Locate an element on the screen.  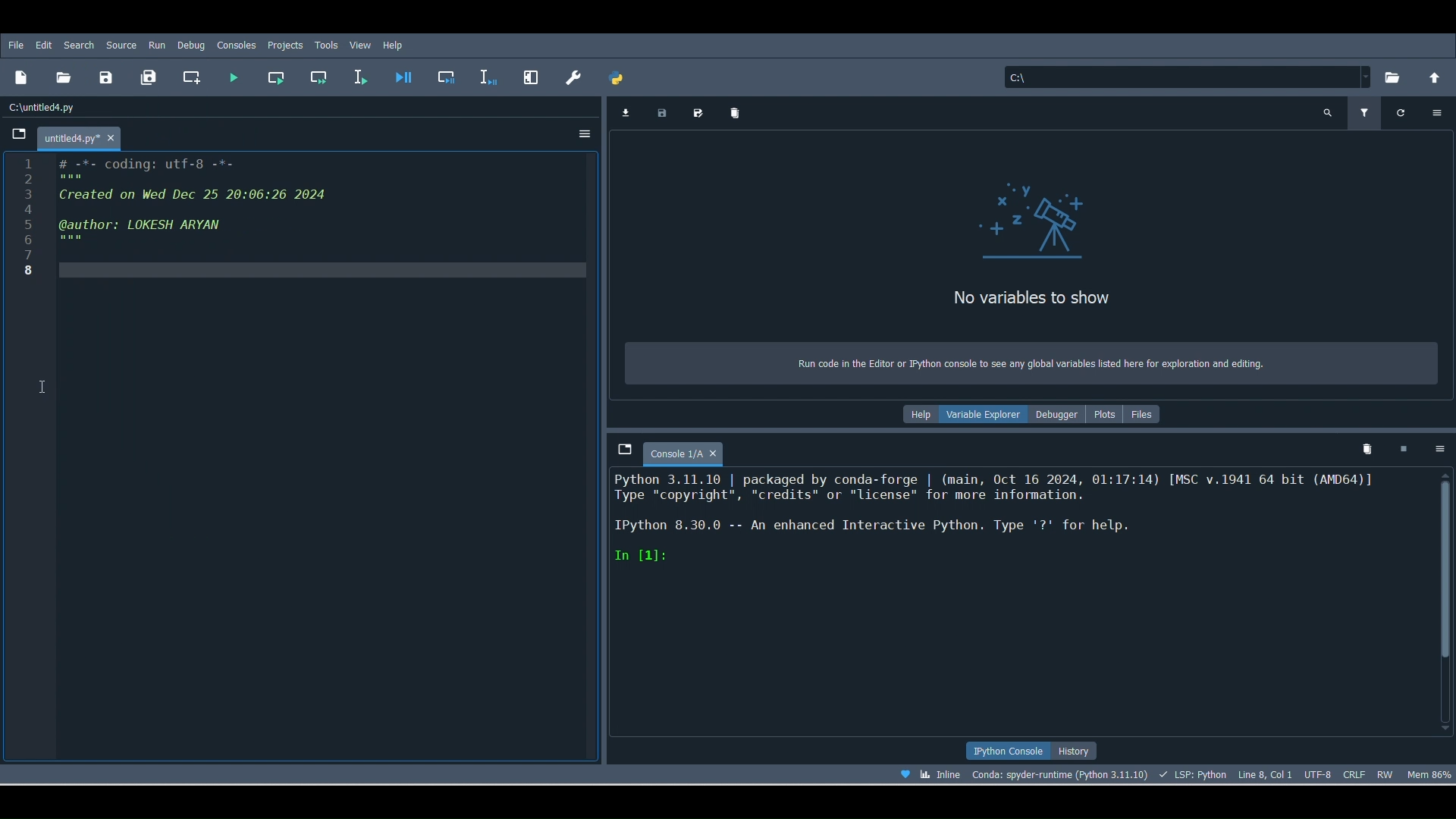
Tools is located at coordinates (328, 43).